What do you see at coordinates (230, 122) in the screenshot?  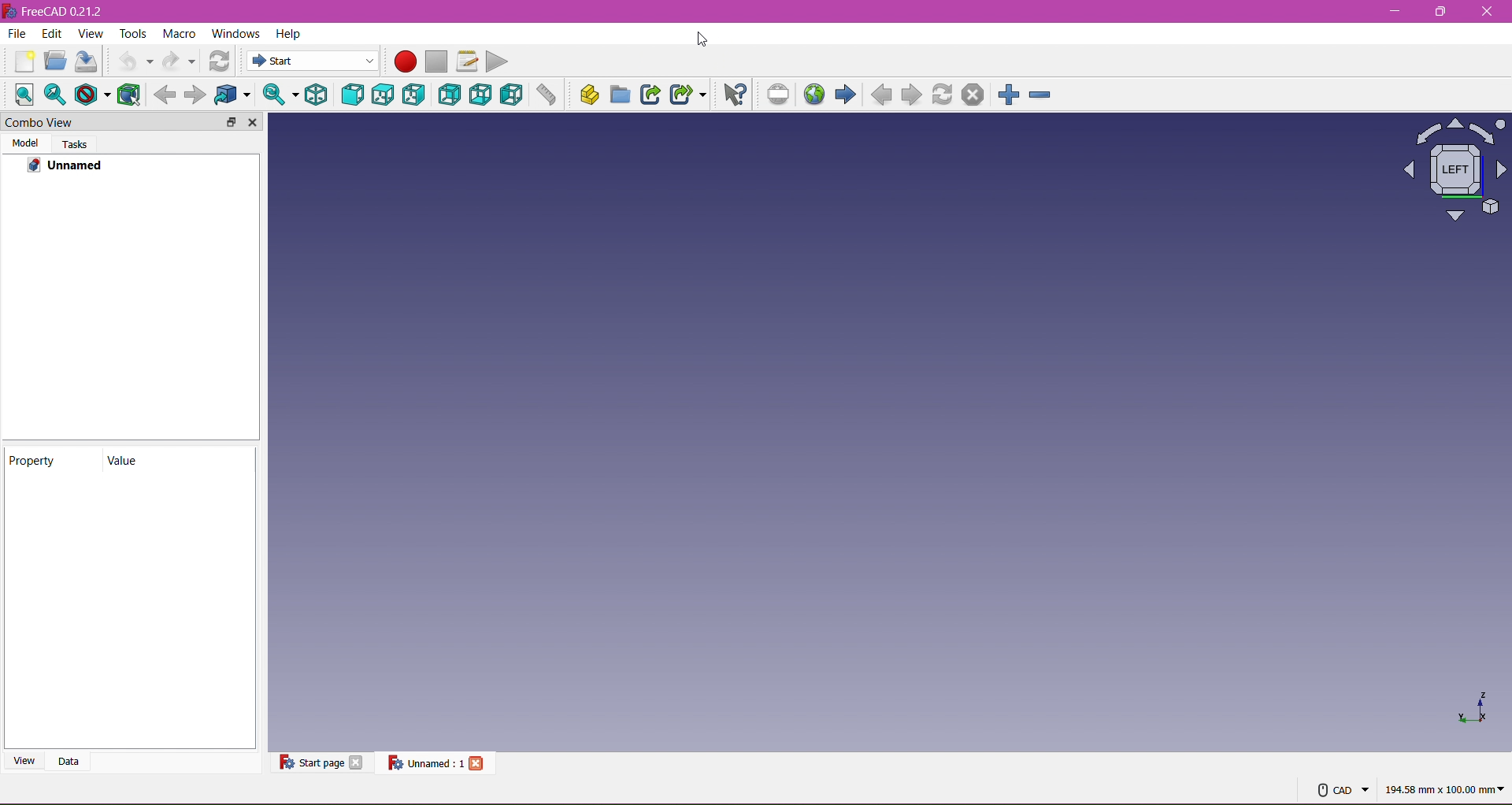 I see `Maximize` at bounding box center [230, 122].